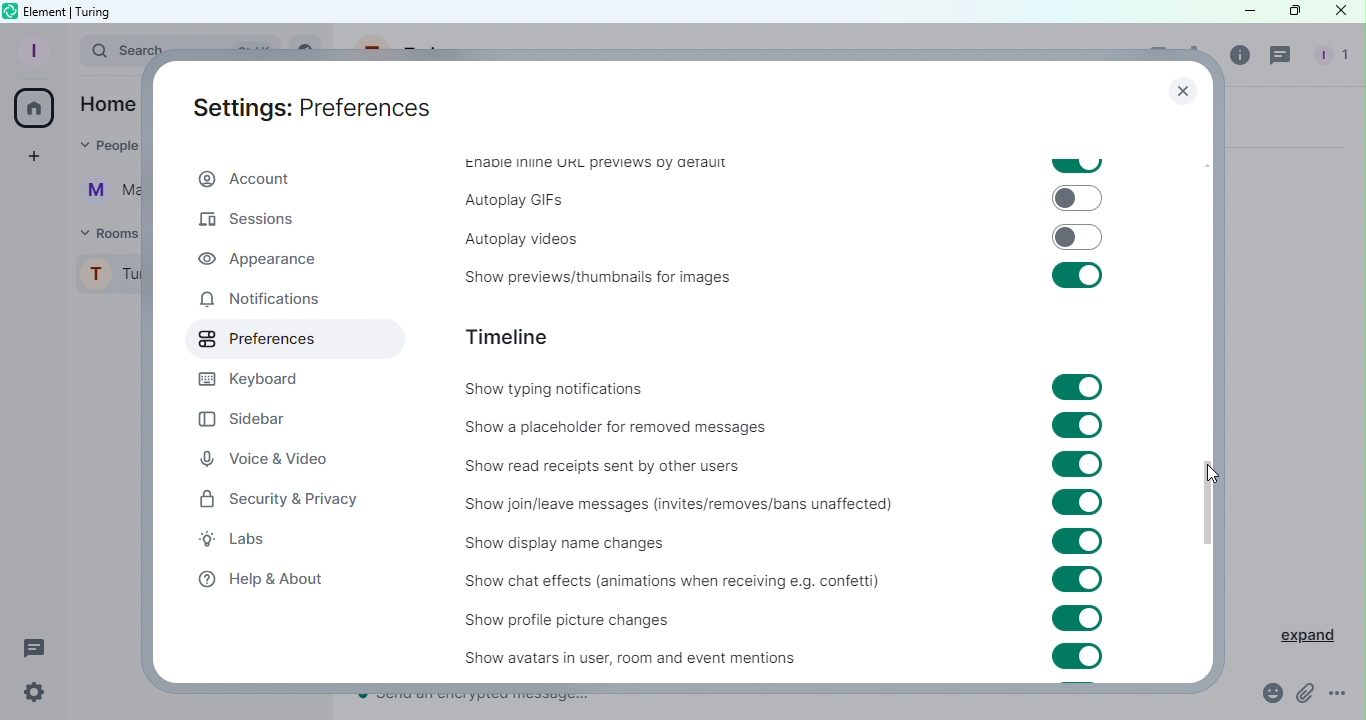  What do you see at coordinates (106, 195) in the screenshot?
I see `Martina Tornello` at bounding box center [106, 195].